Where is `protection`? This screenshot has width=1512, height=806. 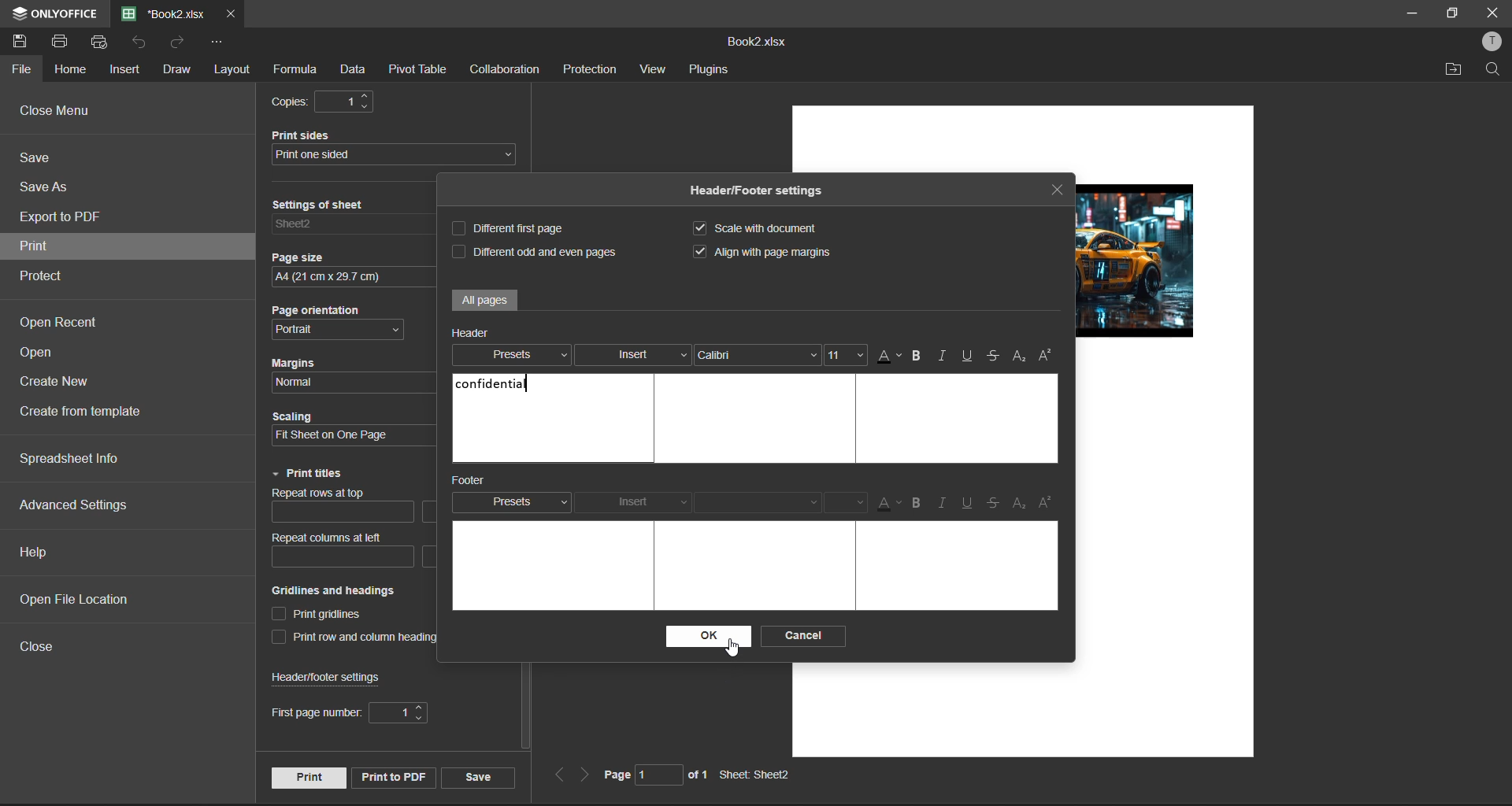
protection is located at coordinates (589, 72).